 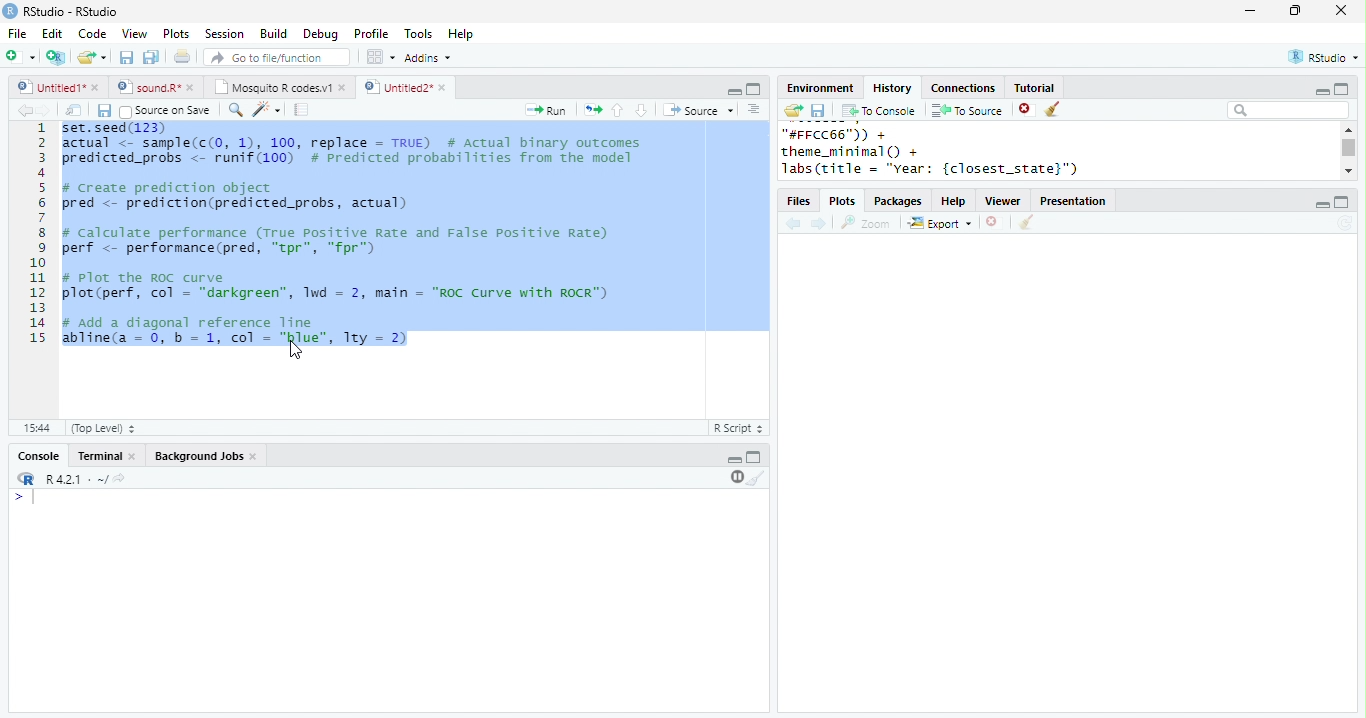 What do you see at coordinates (844, 202) in the screenshot?
I see `Plots` at bounding box center [844, 202].